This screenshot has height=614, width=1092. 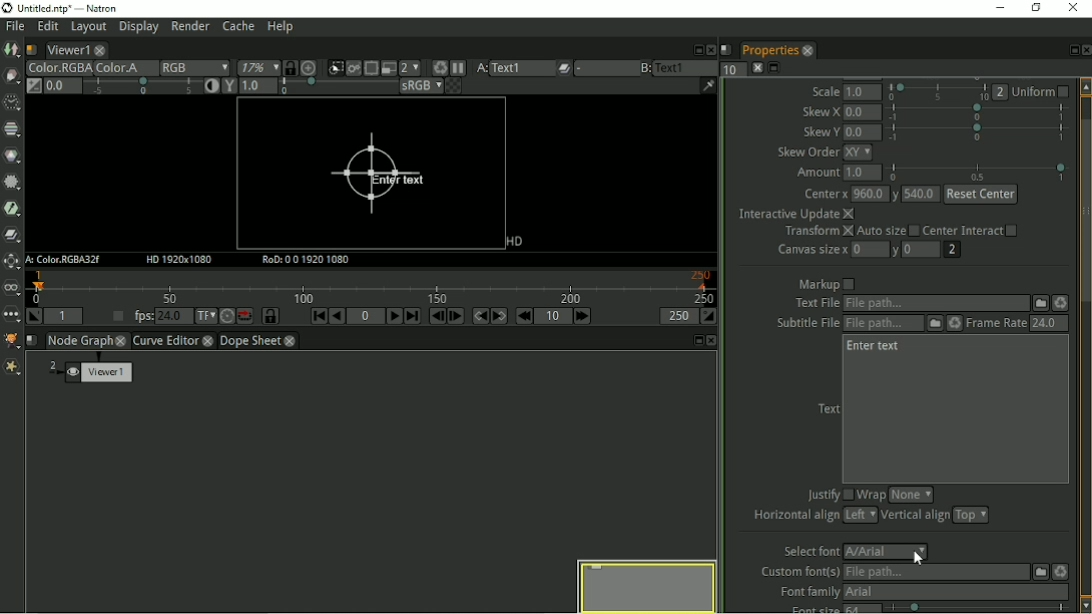 I want to click on Timeline, so click(x=374, y=287).